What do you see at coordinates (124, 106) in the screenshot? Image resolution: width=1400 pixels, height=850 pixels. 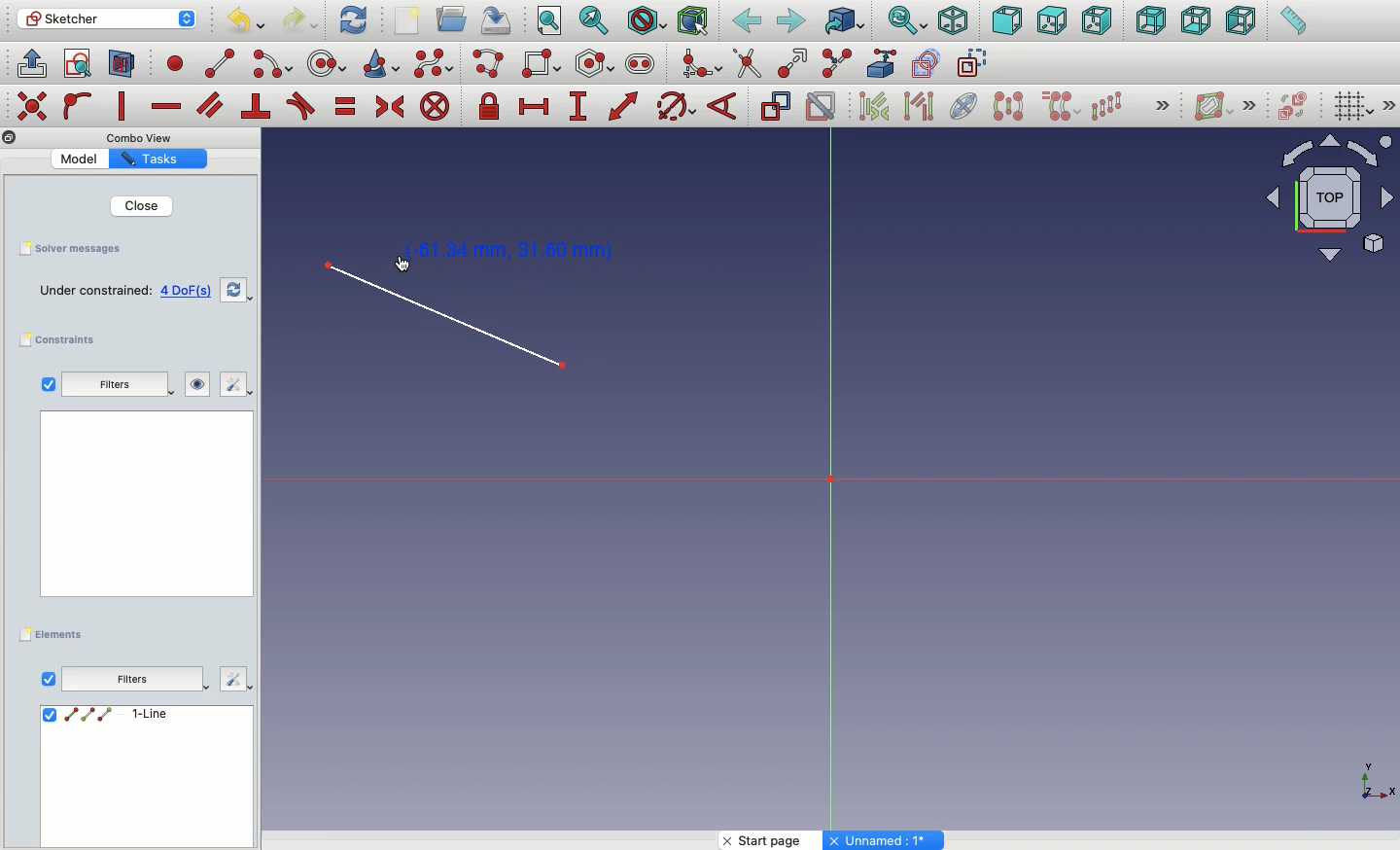 I see `Constrain vertically` at bounding box center [124, 106].